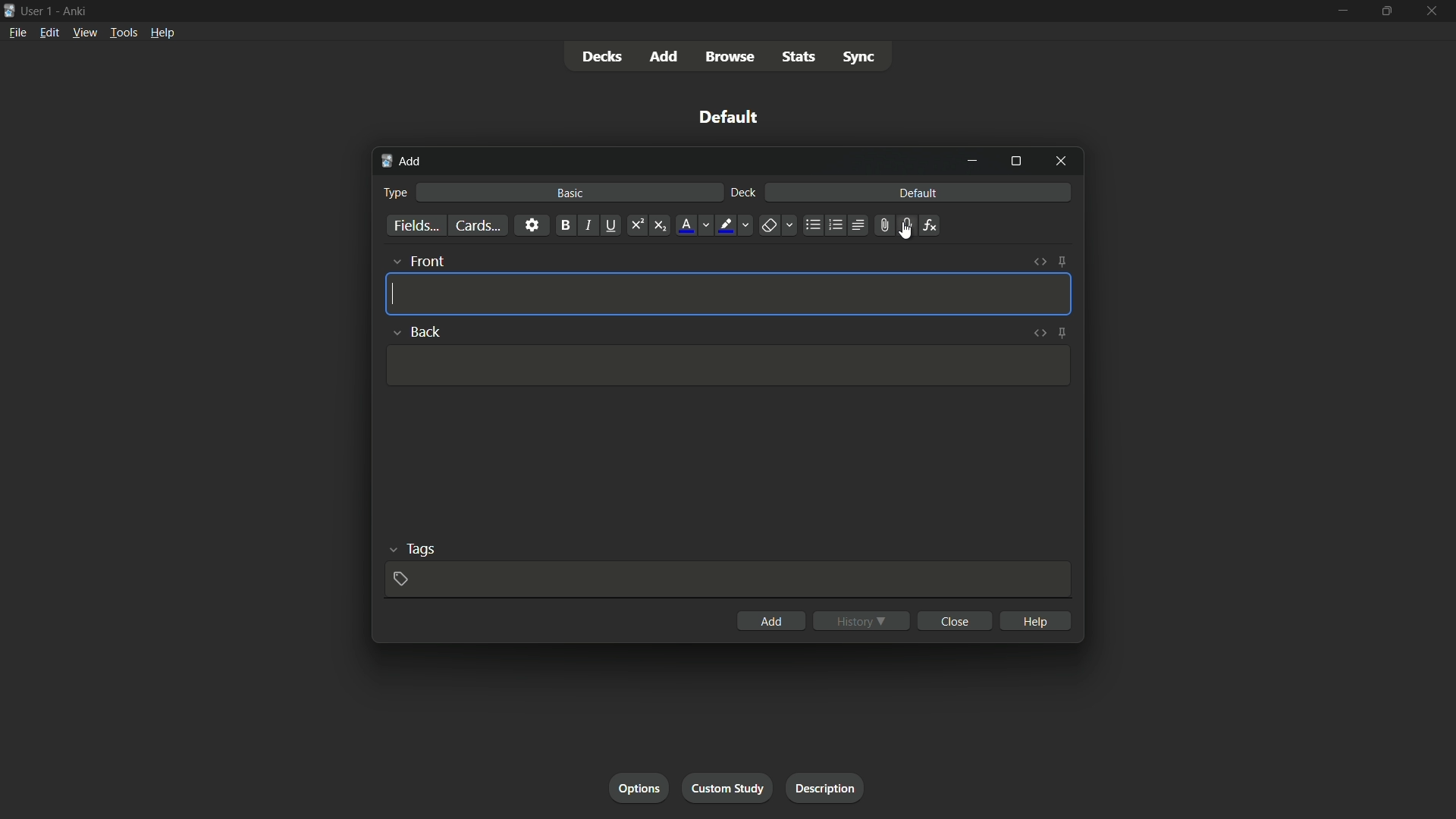  Describe the element at coordinates (825, 788) in the screenshot. I see `description` at that location.